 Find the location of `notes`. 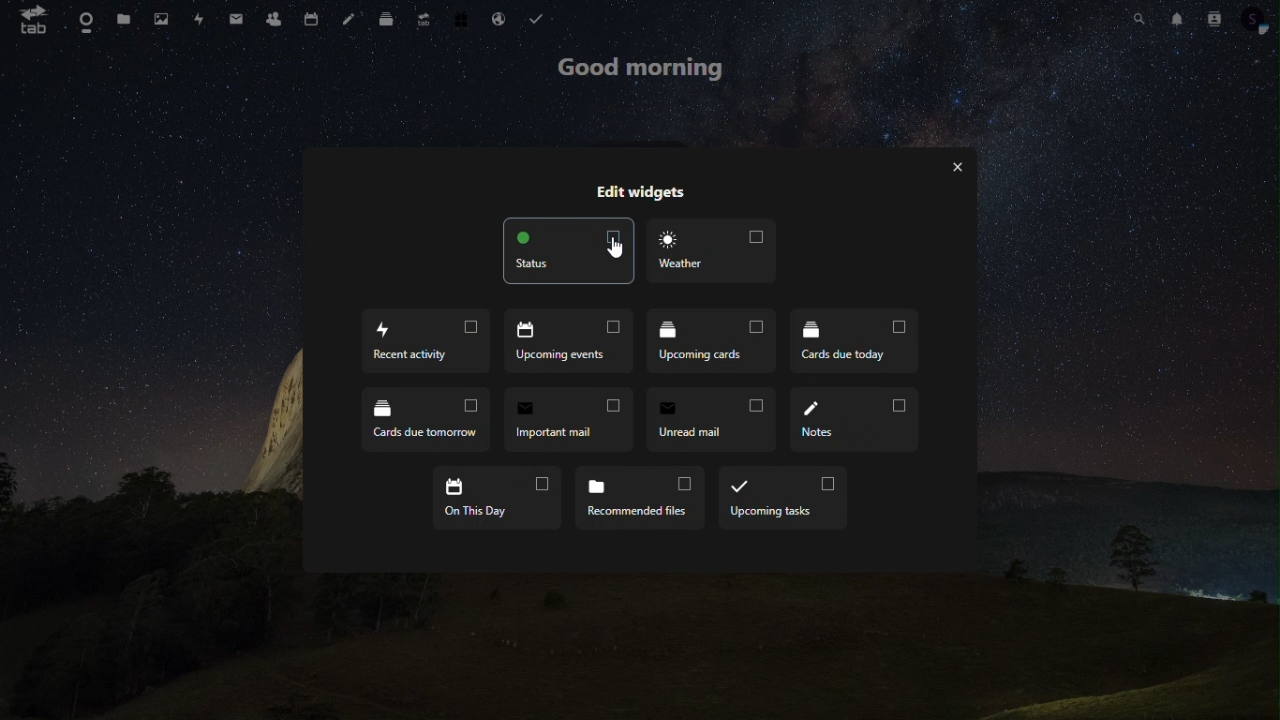

notes is located at coordinates (853, 420).